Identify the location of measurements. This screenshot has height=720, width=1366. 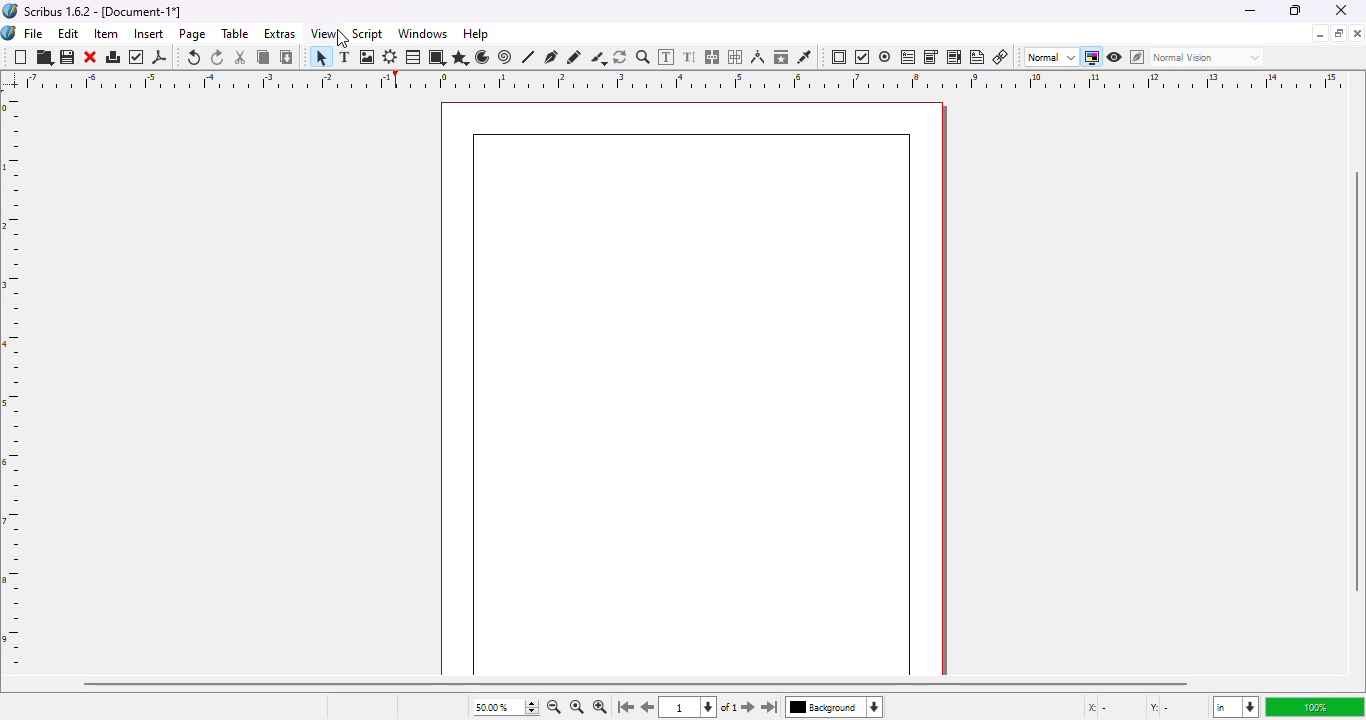
(758, 57).